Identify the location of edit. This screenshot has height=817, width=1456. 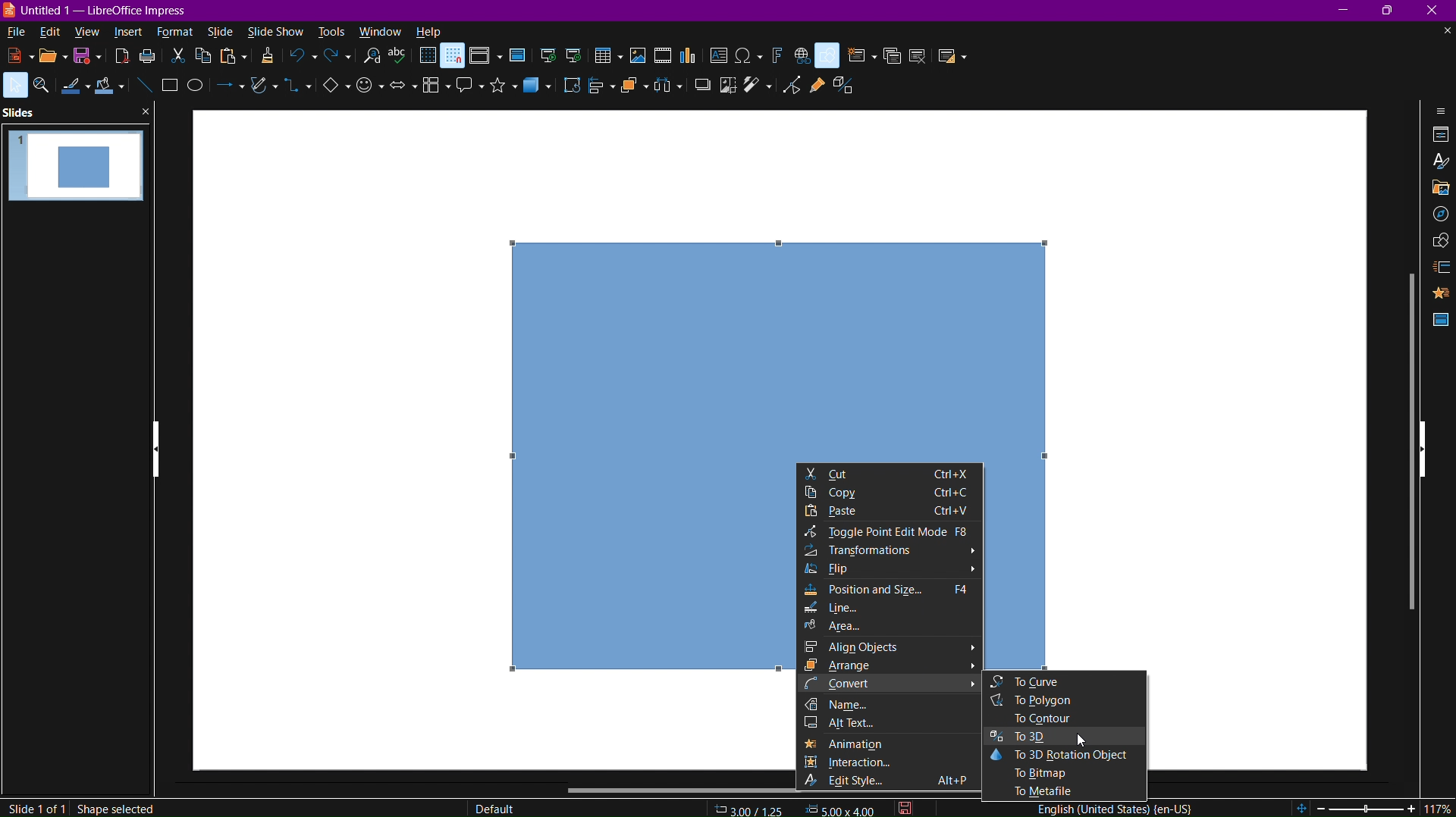
(49, 32).